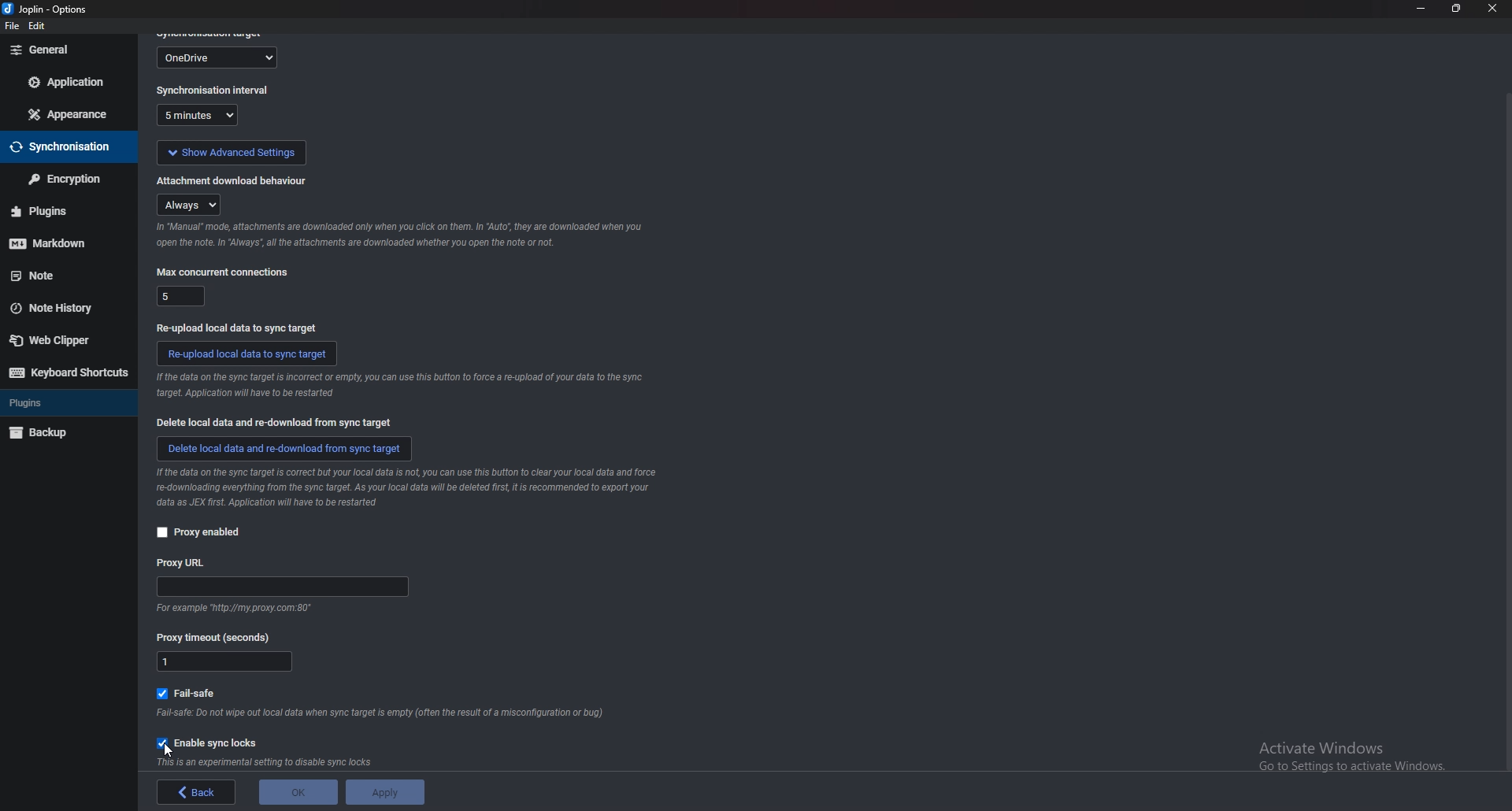 This screenshot has height=811, width=1512. I want to click on info, so click(397, 387).